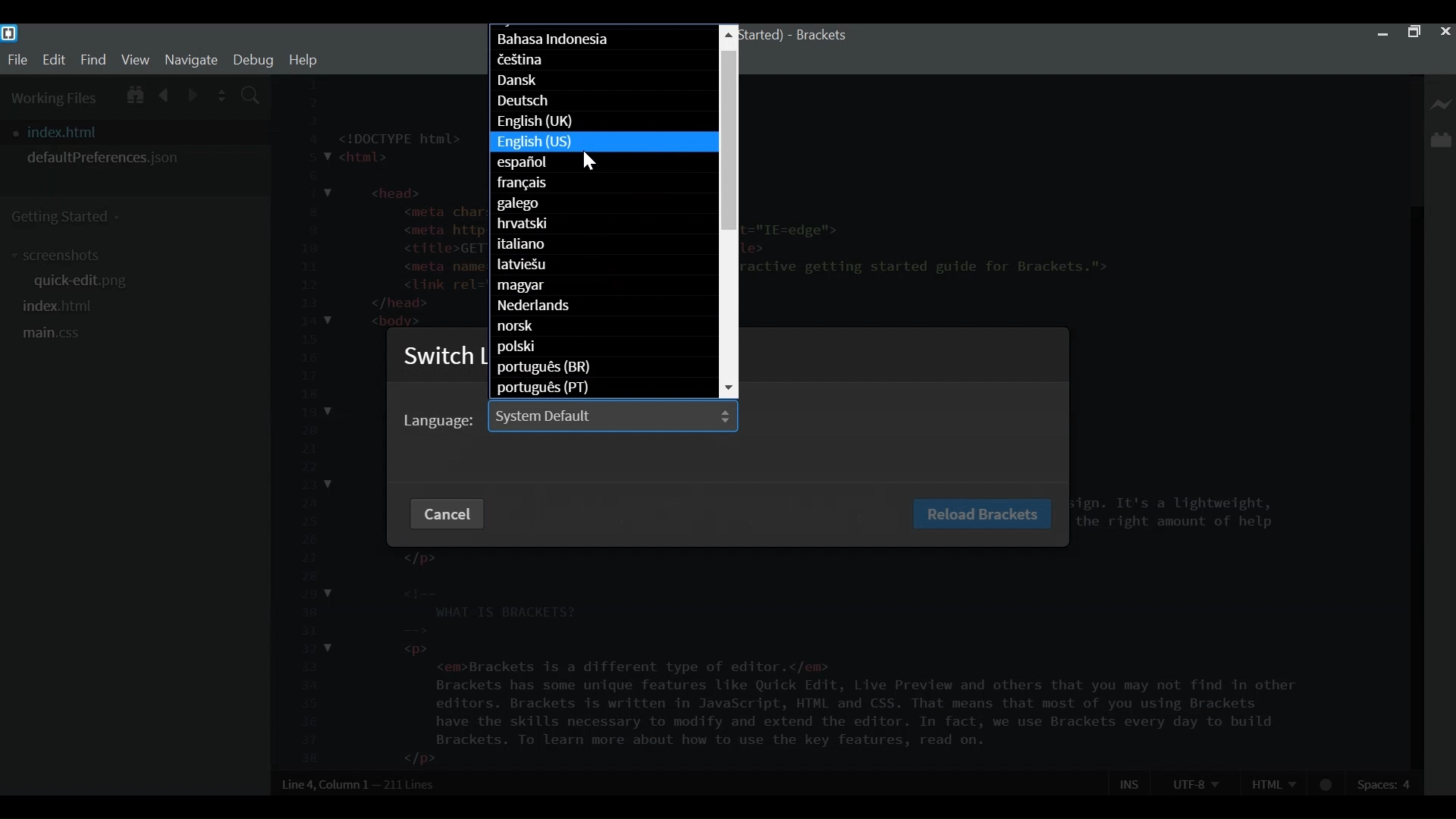 Image resolution: width=1456 pixels, height=819 pixels. I want to click on No lintel available for HTML, so click(1327, 785).